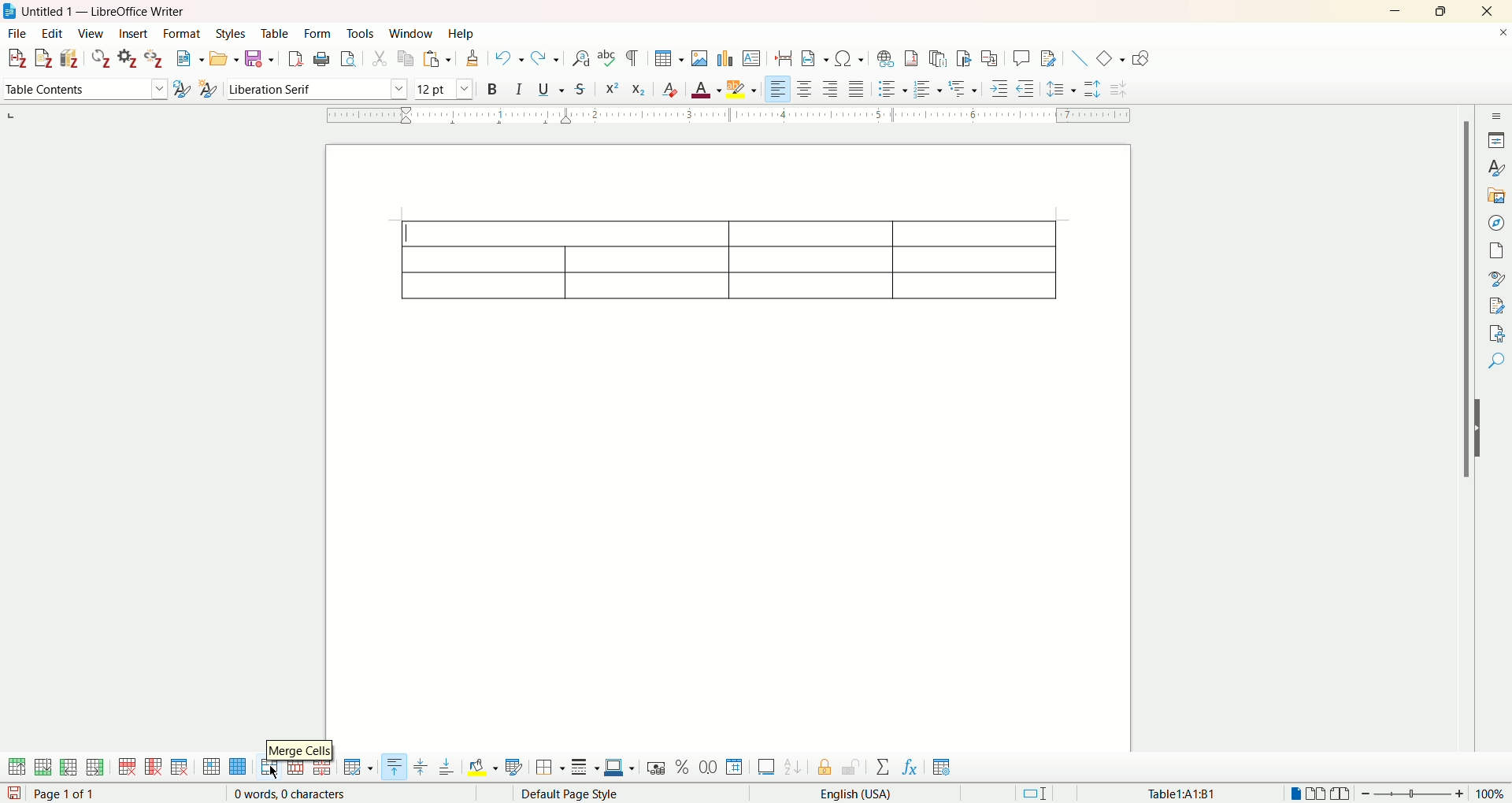  Describe the element at coordinates (753, 58) in the screenshot. I see `insert text box` at that location.